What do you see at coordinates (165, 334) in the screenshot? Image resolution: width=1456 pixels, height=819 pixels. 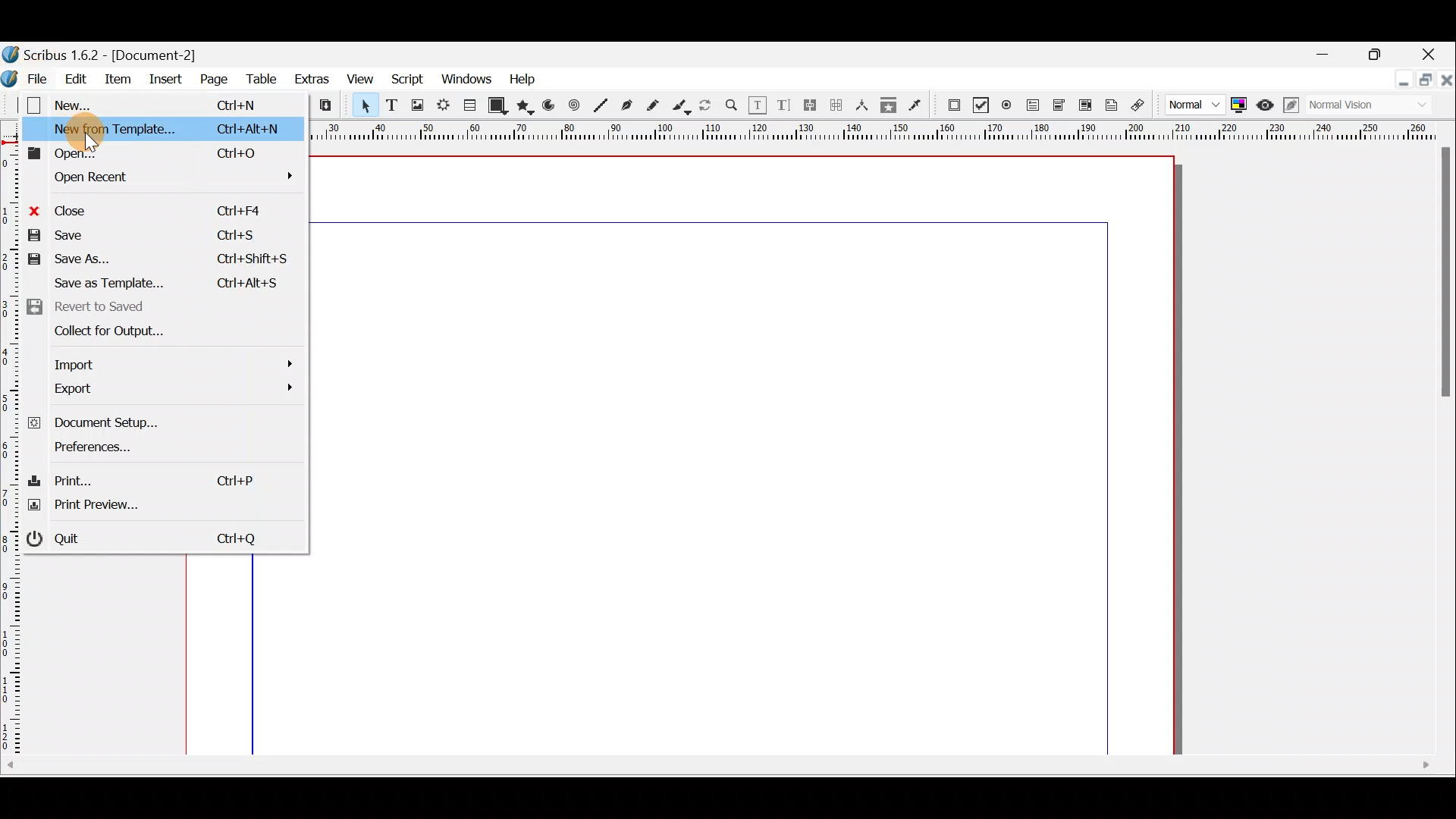 I see `Collect for output` at bounding box center [165, 334].